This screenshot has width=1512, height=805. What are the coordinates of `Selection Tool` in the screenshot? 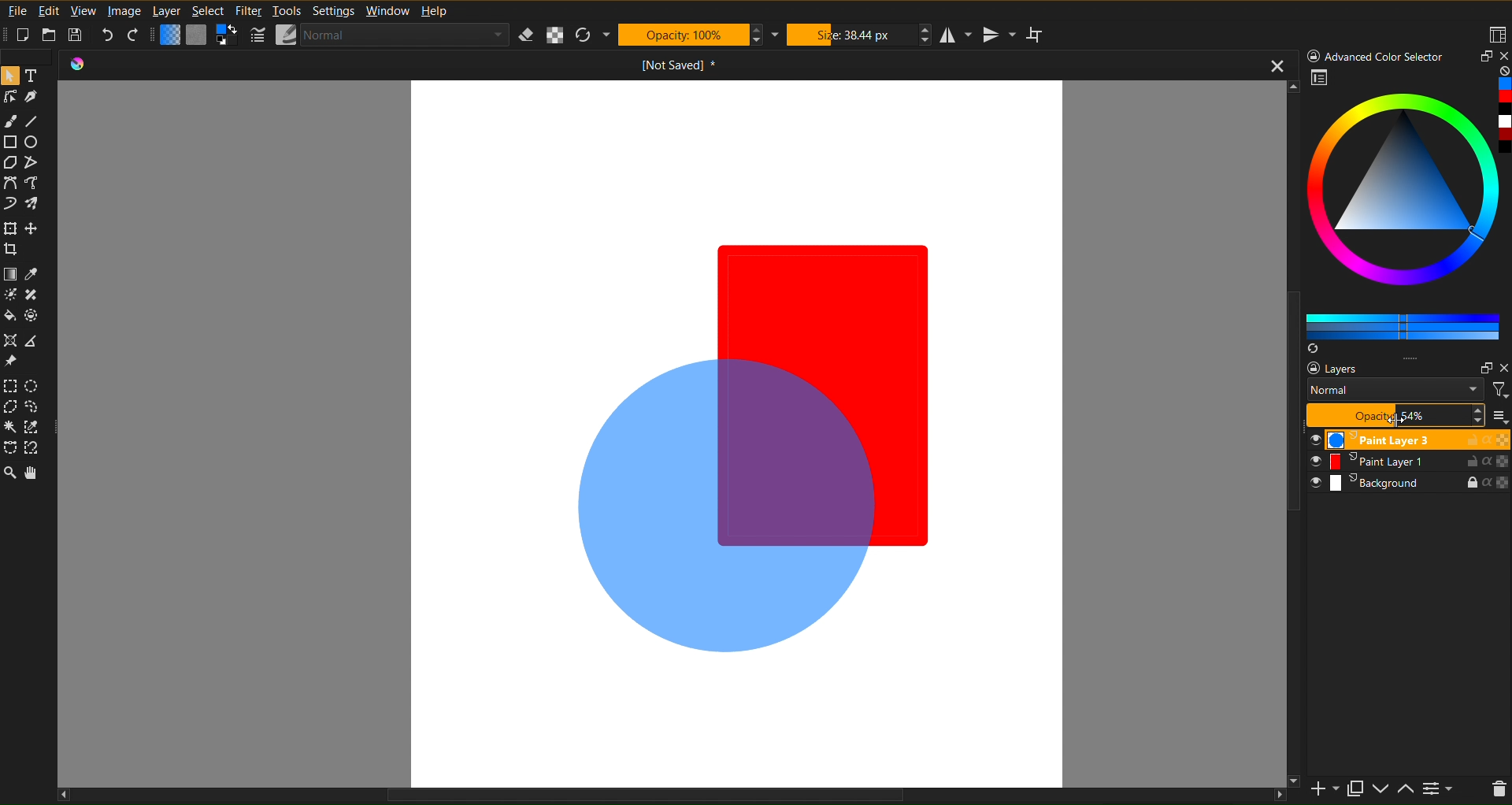 It's located at (35, 407).